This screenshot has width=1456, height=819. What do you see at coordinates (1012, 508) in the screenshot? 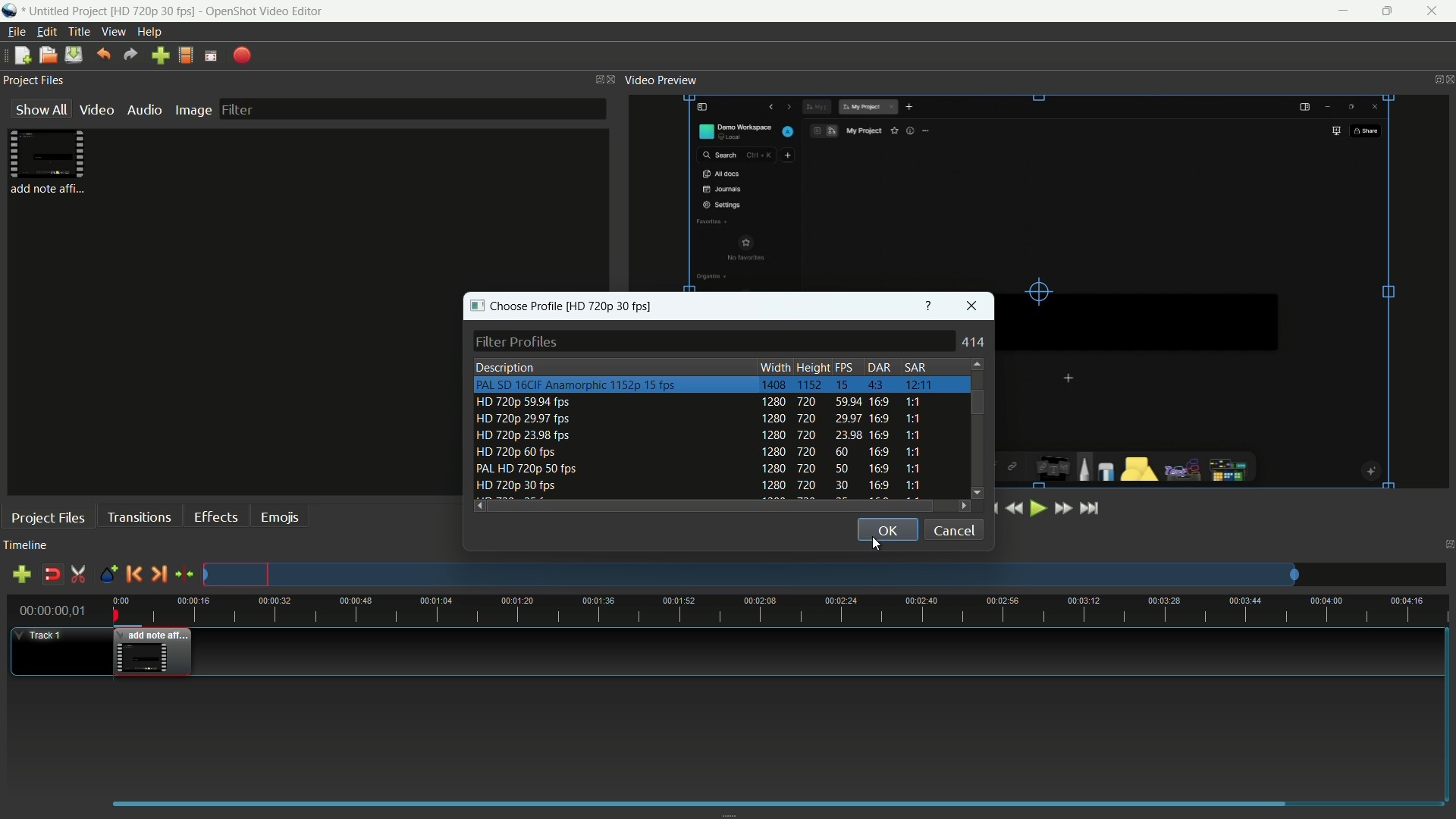
I see `rewind` at bounding box center [1012, 508].